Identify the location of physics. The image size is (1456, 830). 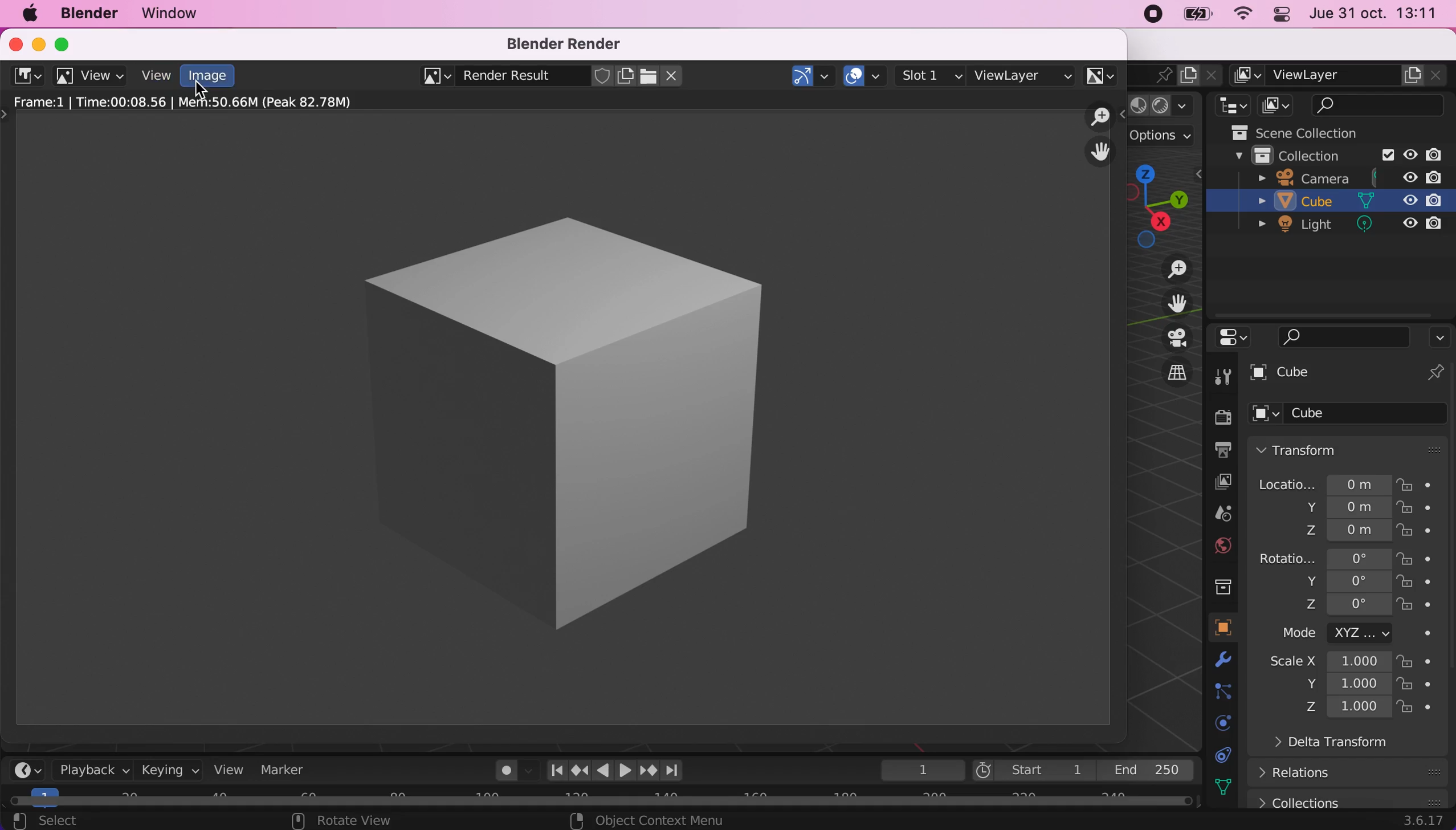
(1218, 722).